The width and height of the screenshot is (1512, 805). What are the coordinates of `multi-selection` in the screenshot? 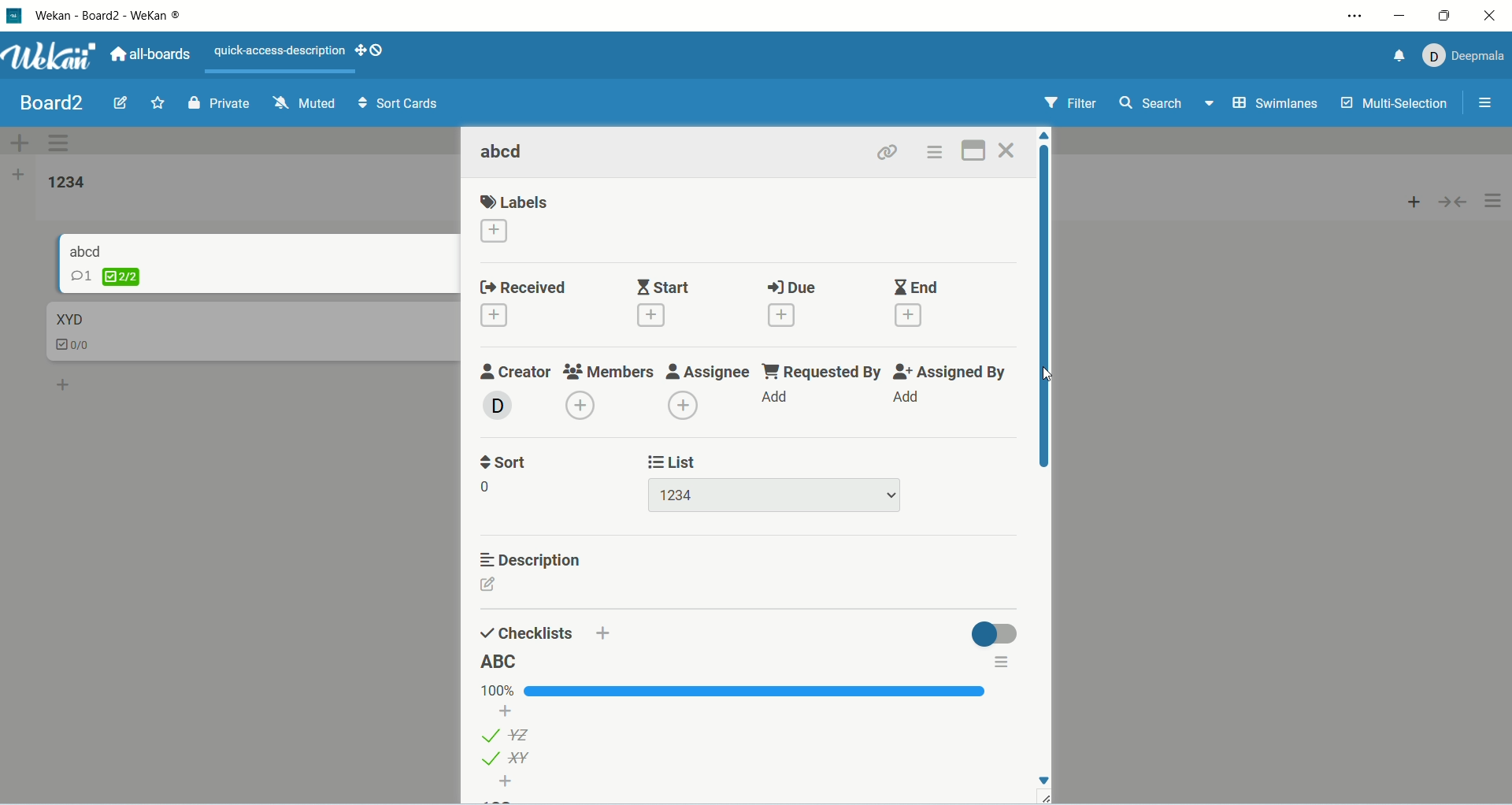 It's located at (1396, 106).